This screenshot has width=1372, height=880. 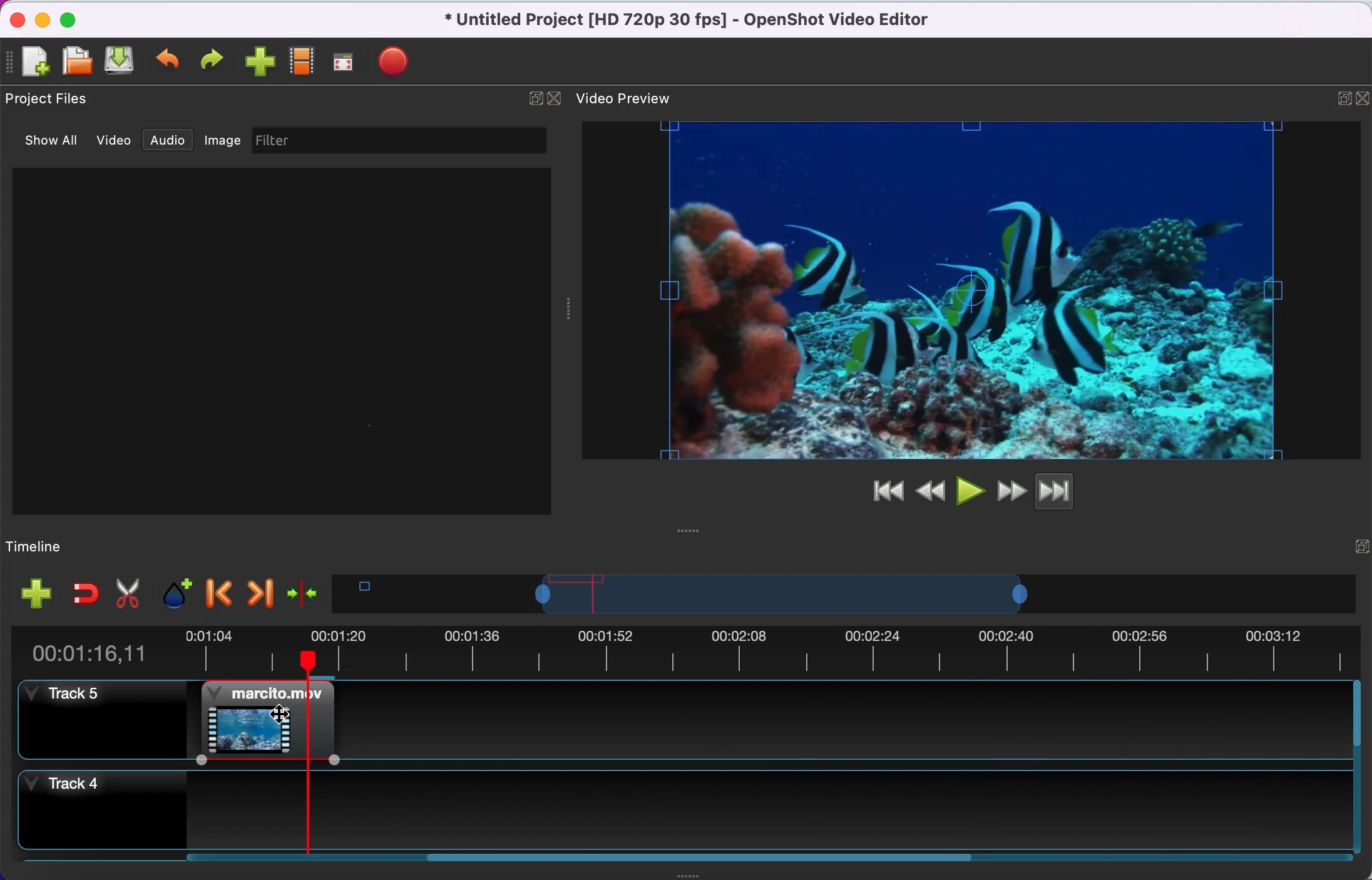 I want to click on timelime, so click(x=79, y=546).